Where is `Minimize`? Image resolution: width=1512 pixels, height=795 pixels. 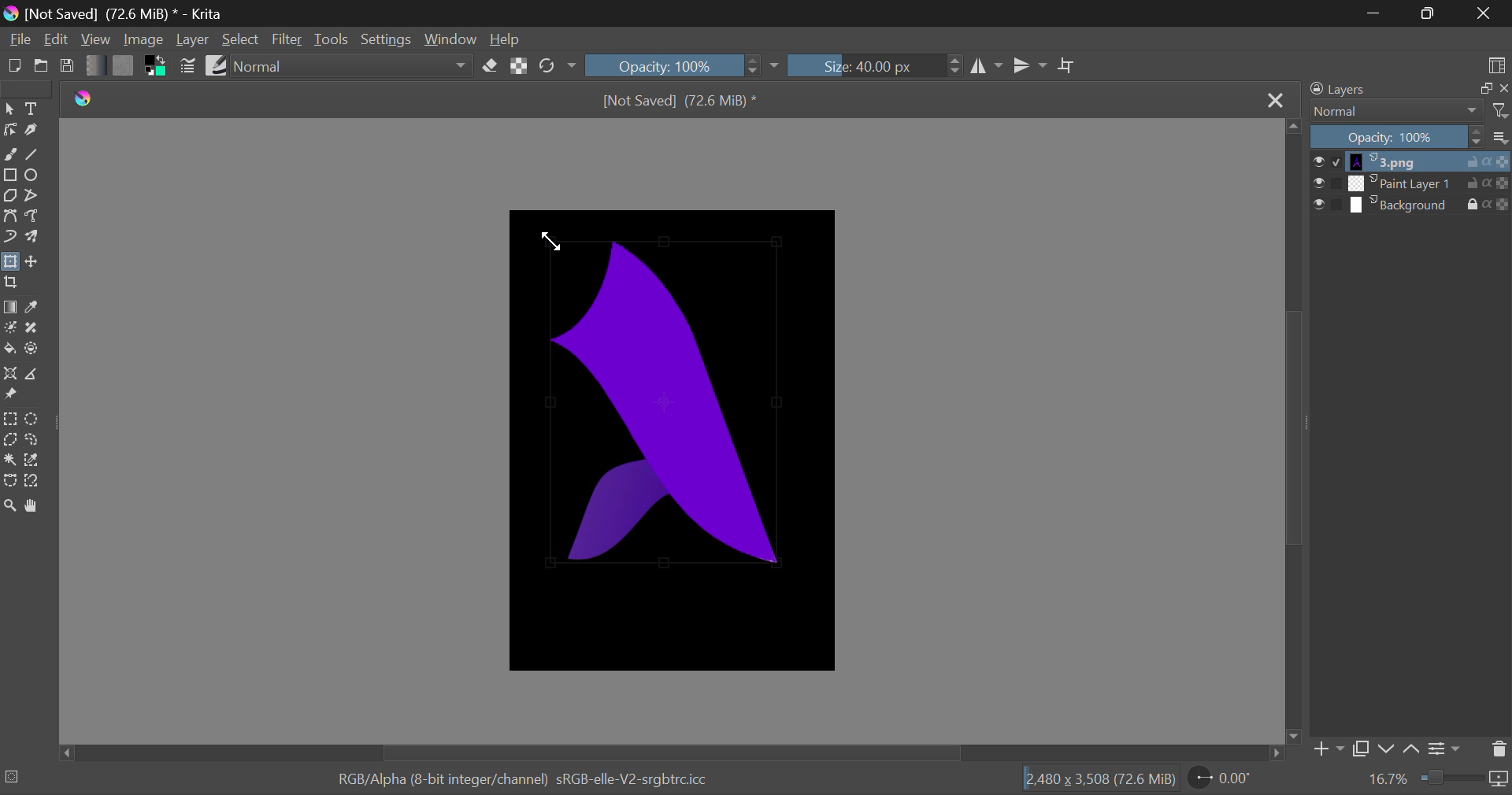
Minimize is located at coordinates (1430, 13).